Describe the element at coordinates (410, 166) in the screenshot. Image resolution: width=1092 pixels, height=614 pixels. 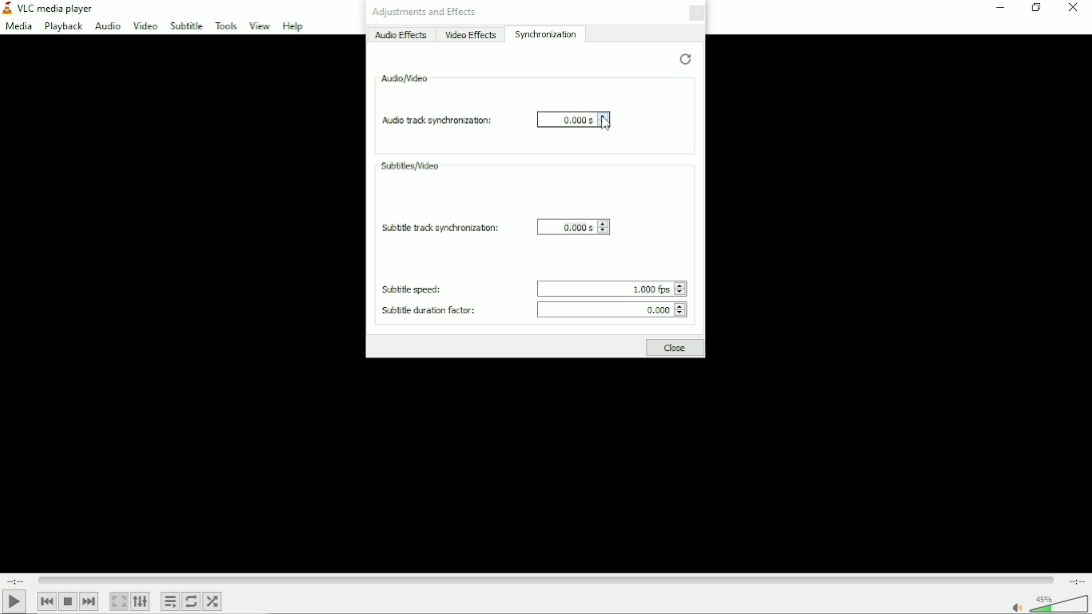
I see `Subtitle/video` at that location.